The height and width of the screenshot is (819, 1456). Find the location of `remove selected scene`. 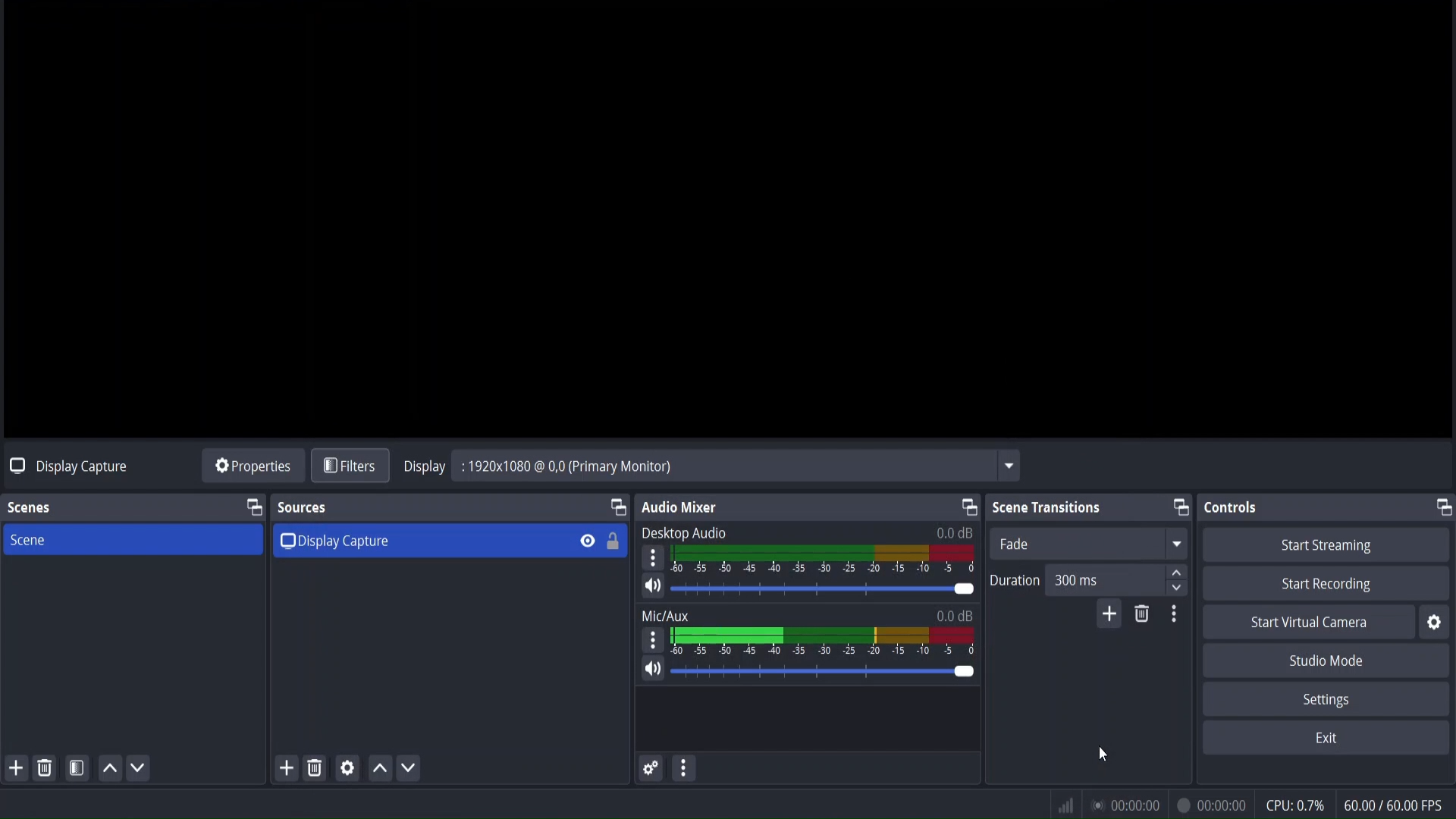

remove selected scene is located at coordinates (46, 767).